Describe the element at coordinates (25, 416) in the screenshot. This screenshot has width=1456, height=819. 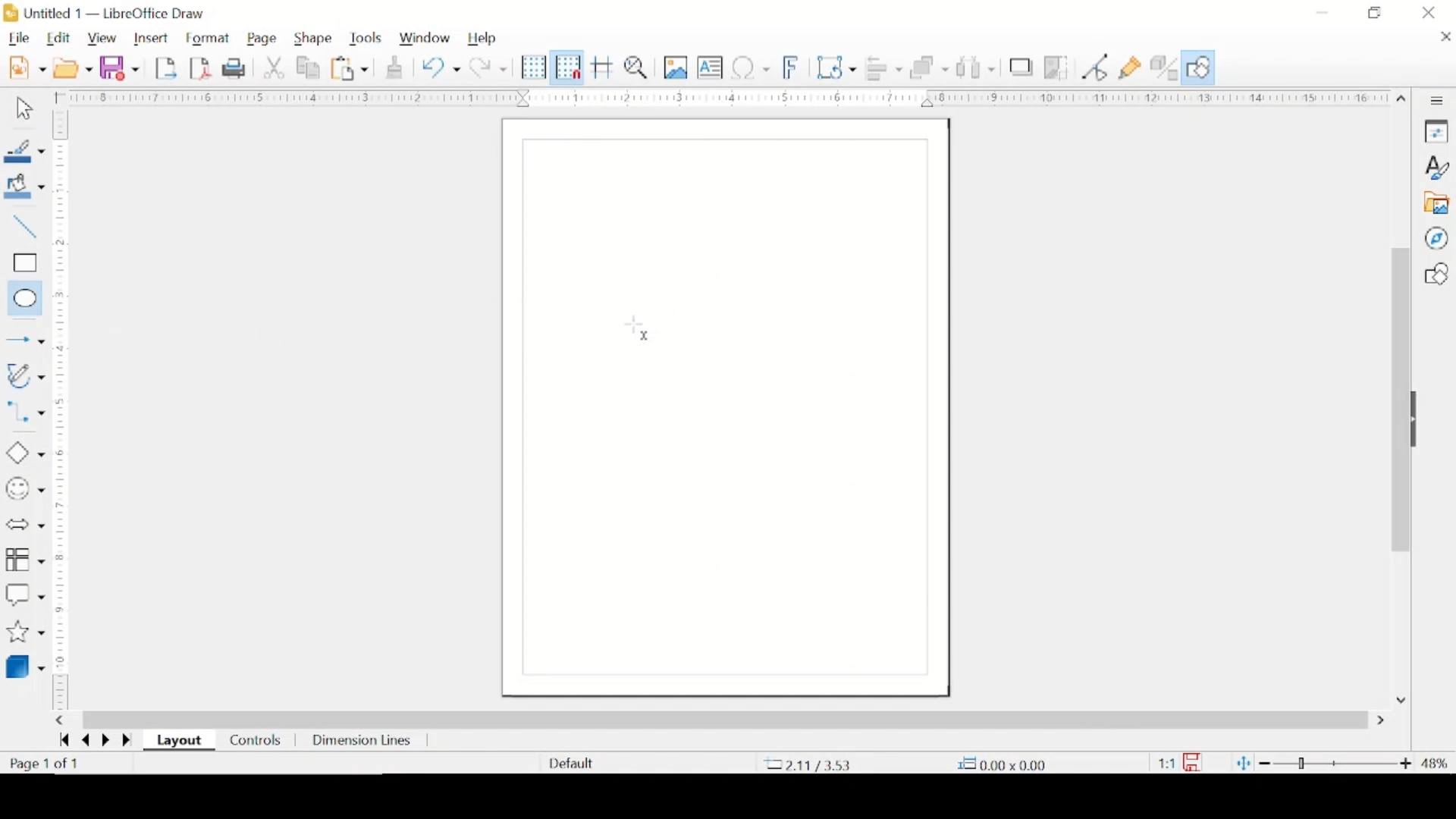
I see `connectors` at that location.